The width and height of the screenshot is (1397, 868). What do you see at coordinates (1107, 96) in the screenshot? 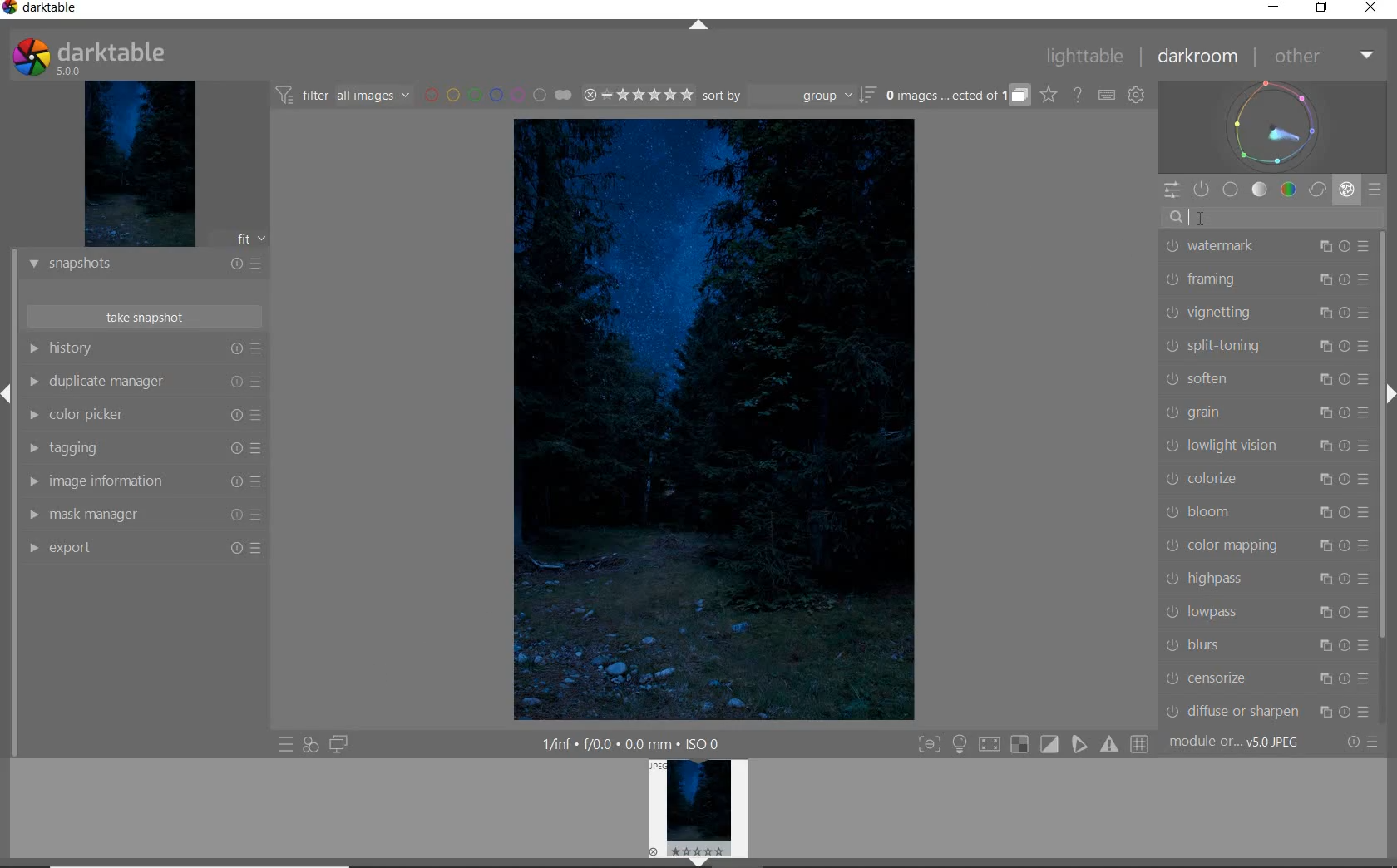
I see `SET KEYBOARD SHORTCUTS` at bounding box center [1107, 96].